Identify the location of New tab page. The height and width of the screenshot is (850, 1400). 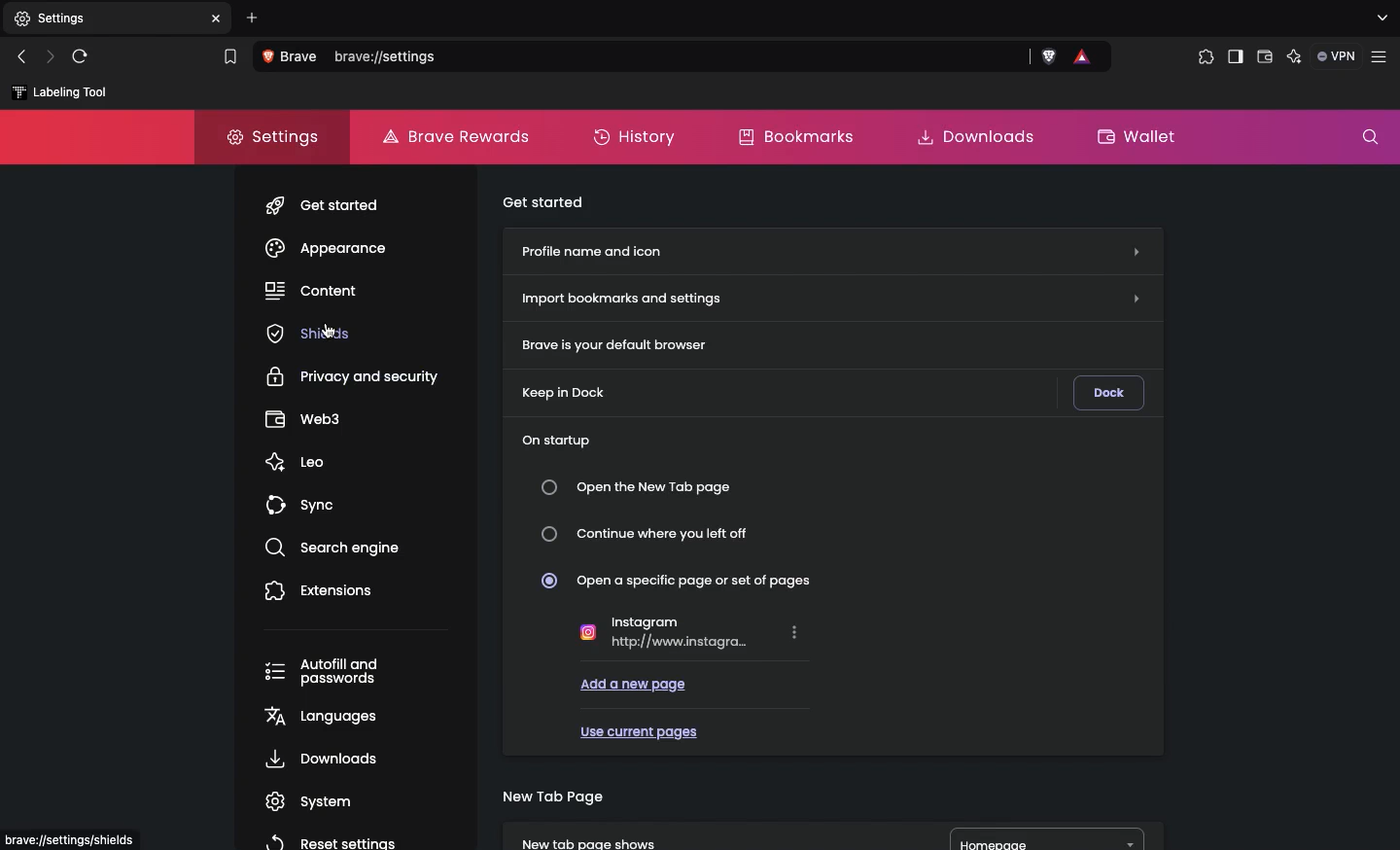
(556, 798).